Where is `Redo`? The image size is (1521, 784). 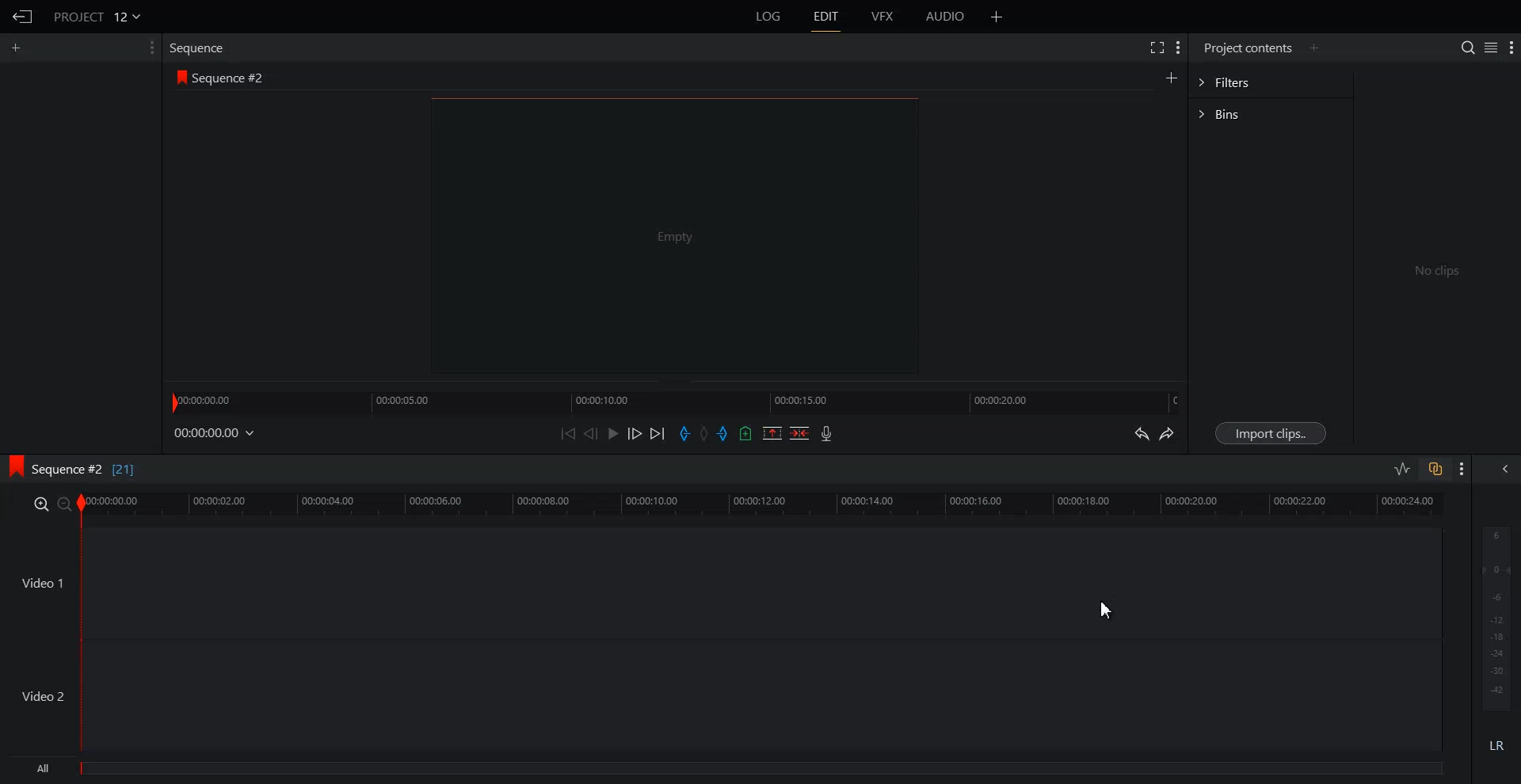 Redo is located at coordinates (1169, 435).